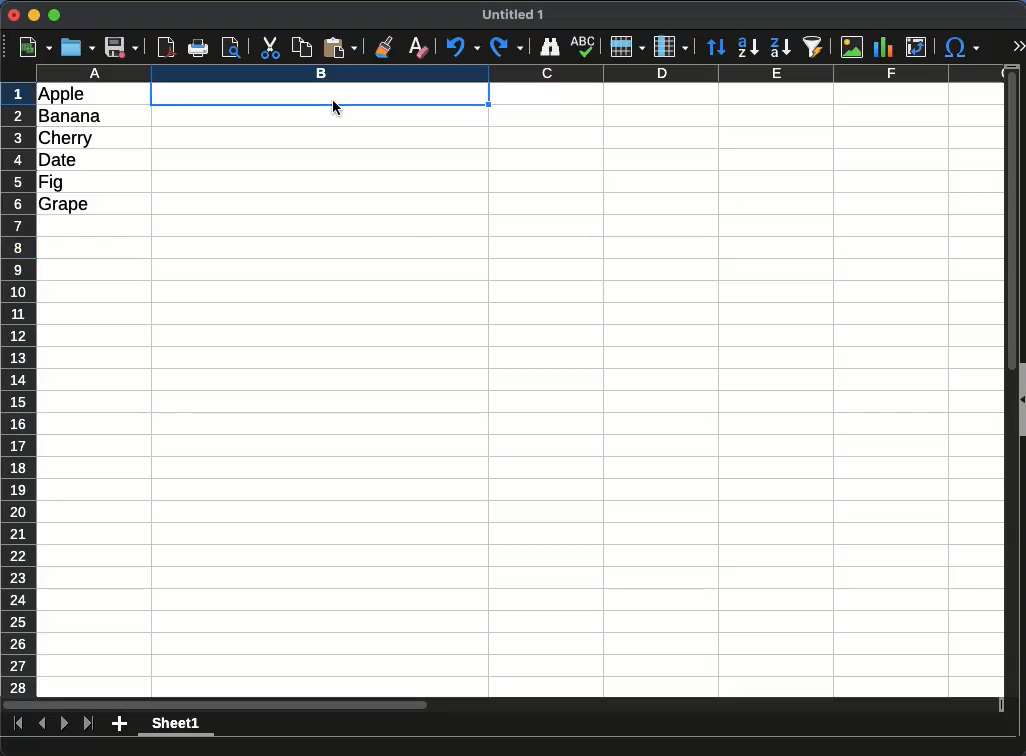 This screenshot has width=1026, height=756. Describe the element at coordinates (340, 48) in the screenshot. I see `paste` at that location.